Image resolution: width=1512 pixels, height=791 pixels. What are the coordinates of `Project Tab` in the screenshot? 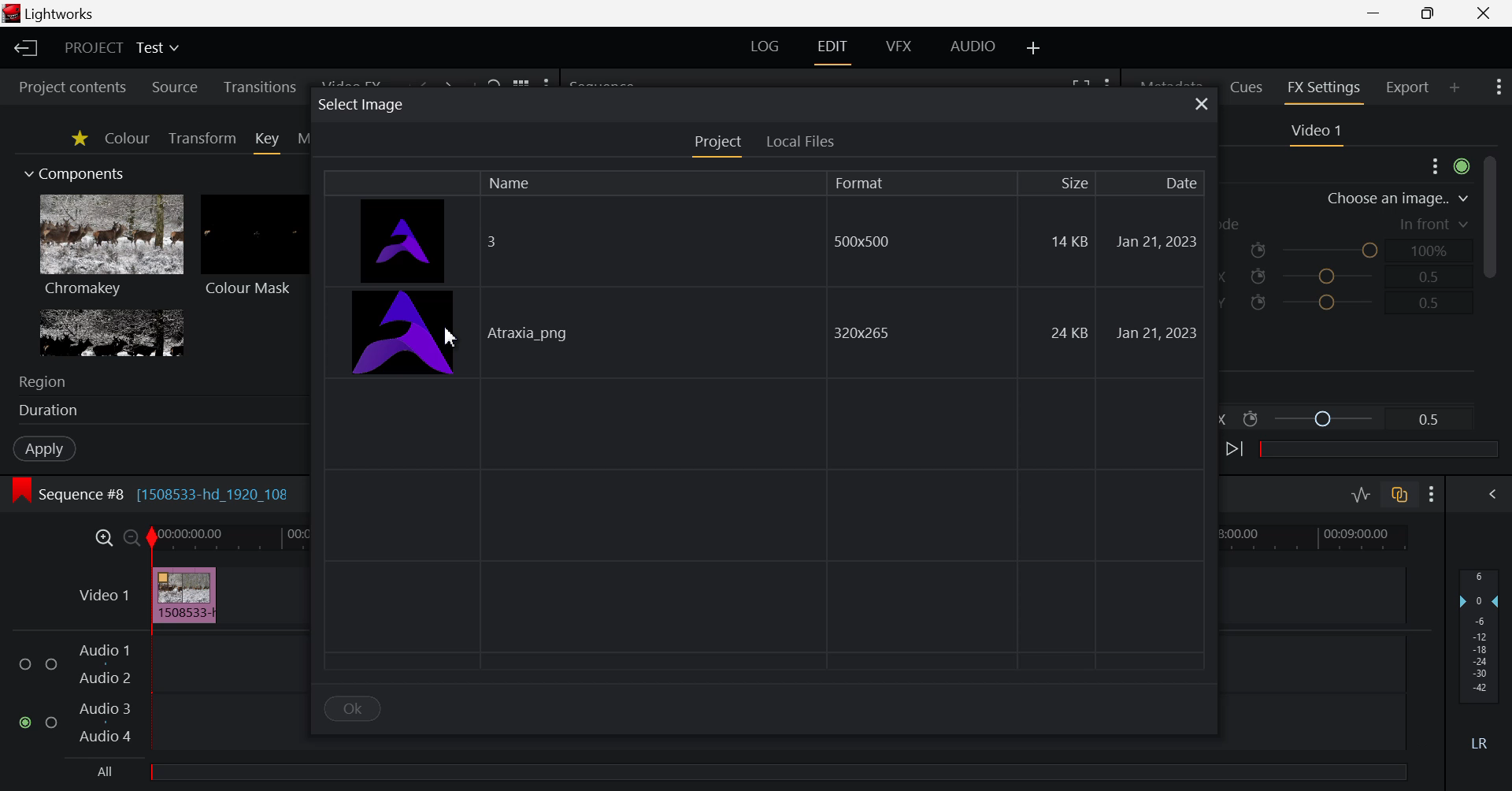 It's located at (712, 141).